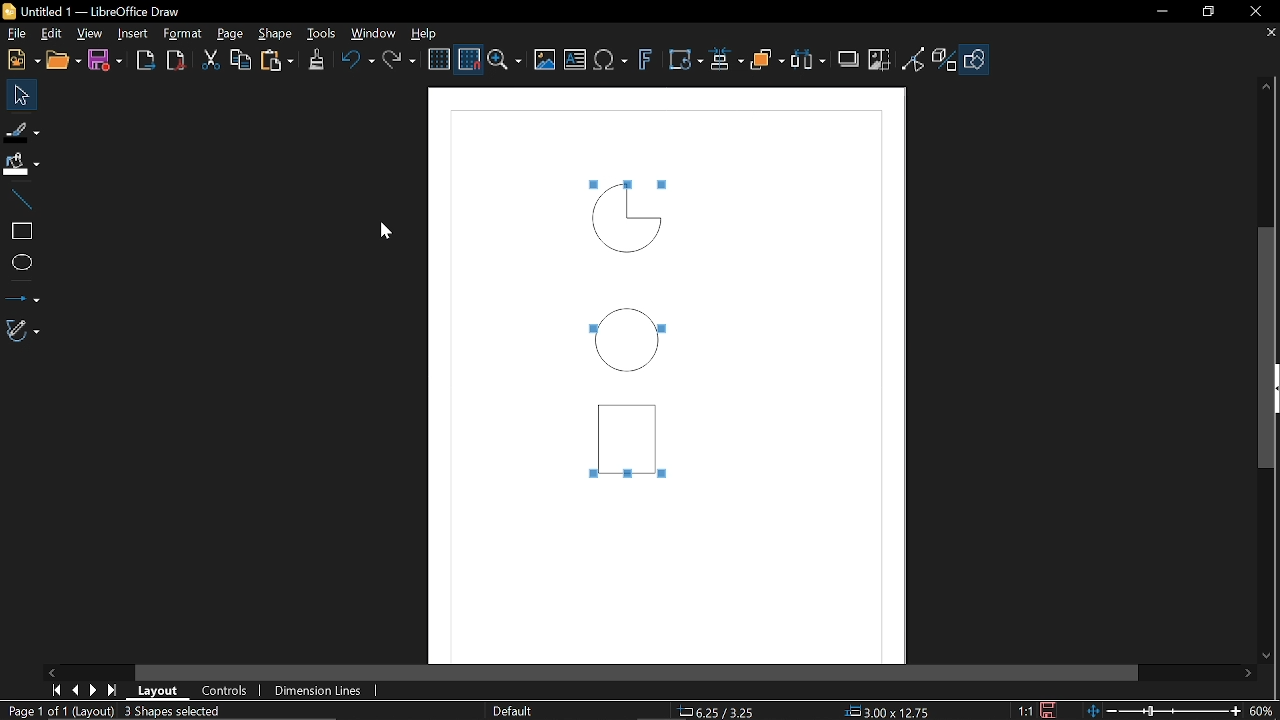  I want to click on Next page, so click(93, 690).